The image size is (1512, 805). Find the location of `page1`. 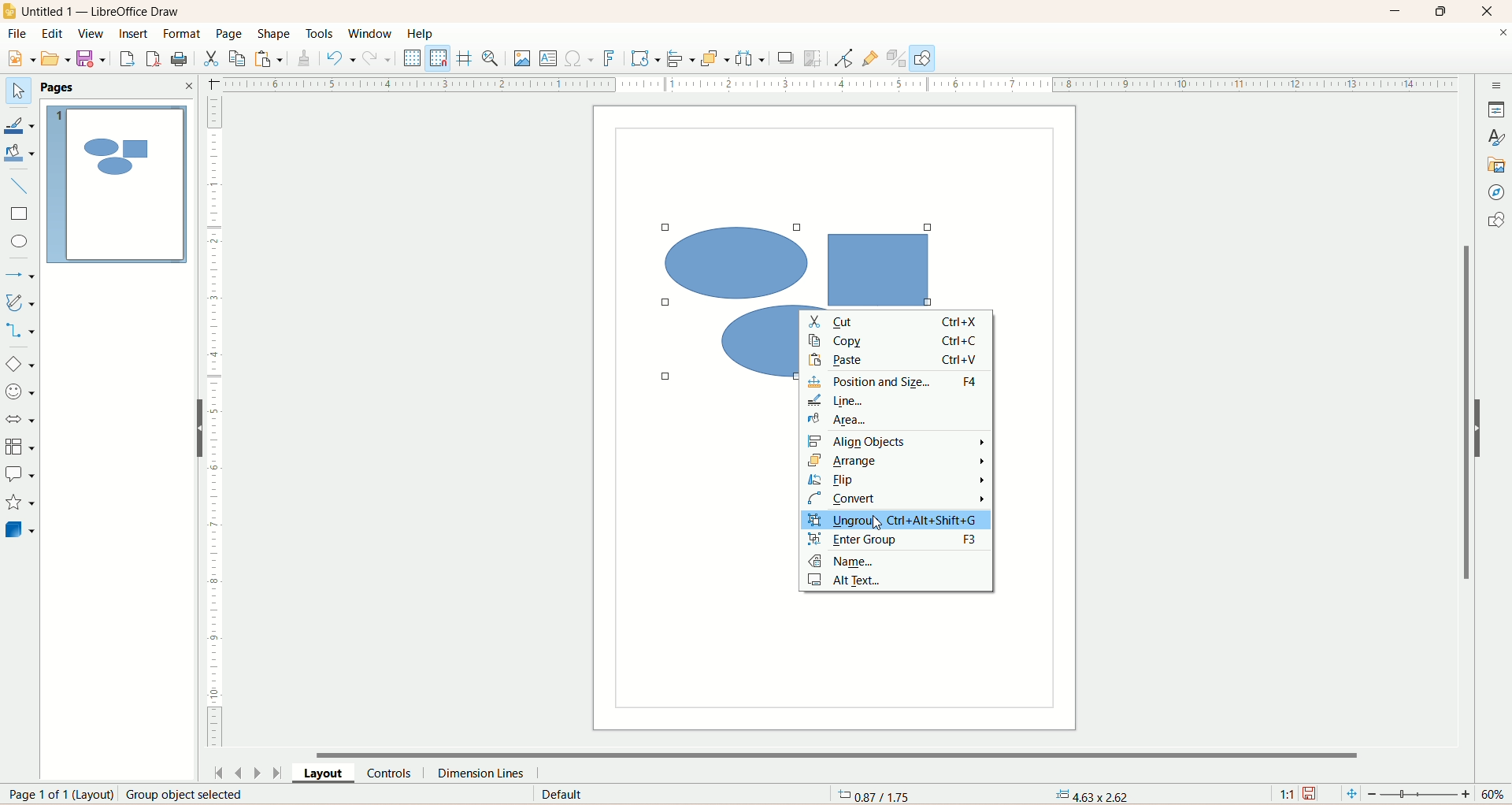

page1 is located at coordinates (114, 183).